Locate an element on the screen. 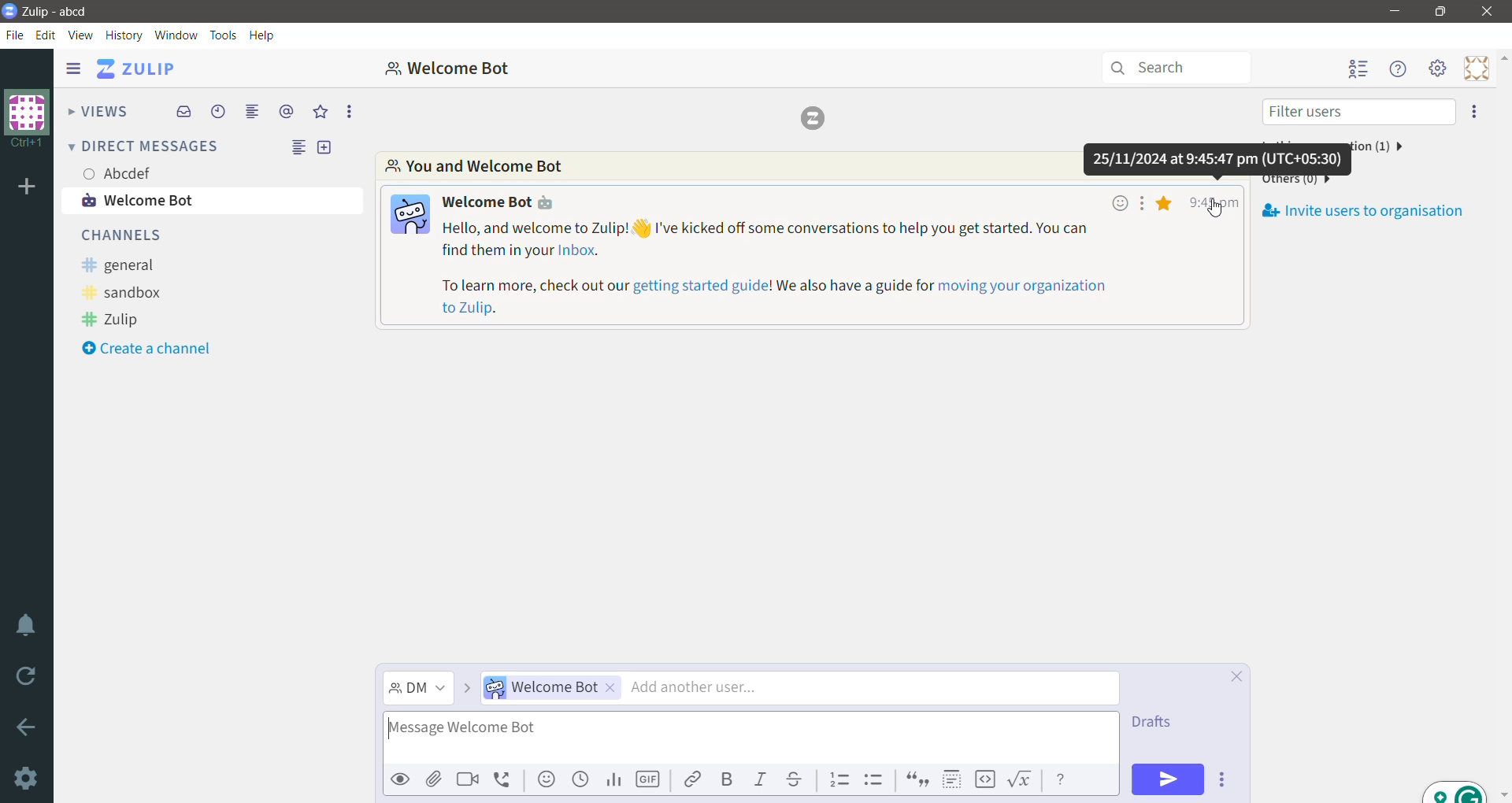 Image resolution: width=1512 pixels, height=803 pixels. Personal Menu is located at coordinates (1473, 68).